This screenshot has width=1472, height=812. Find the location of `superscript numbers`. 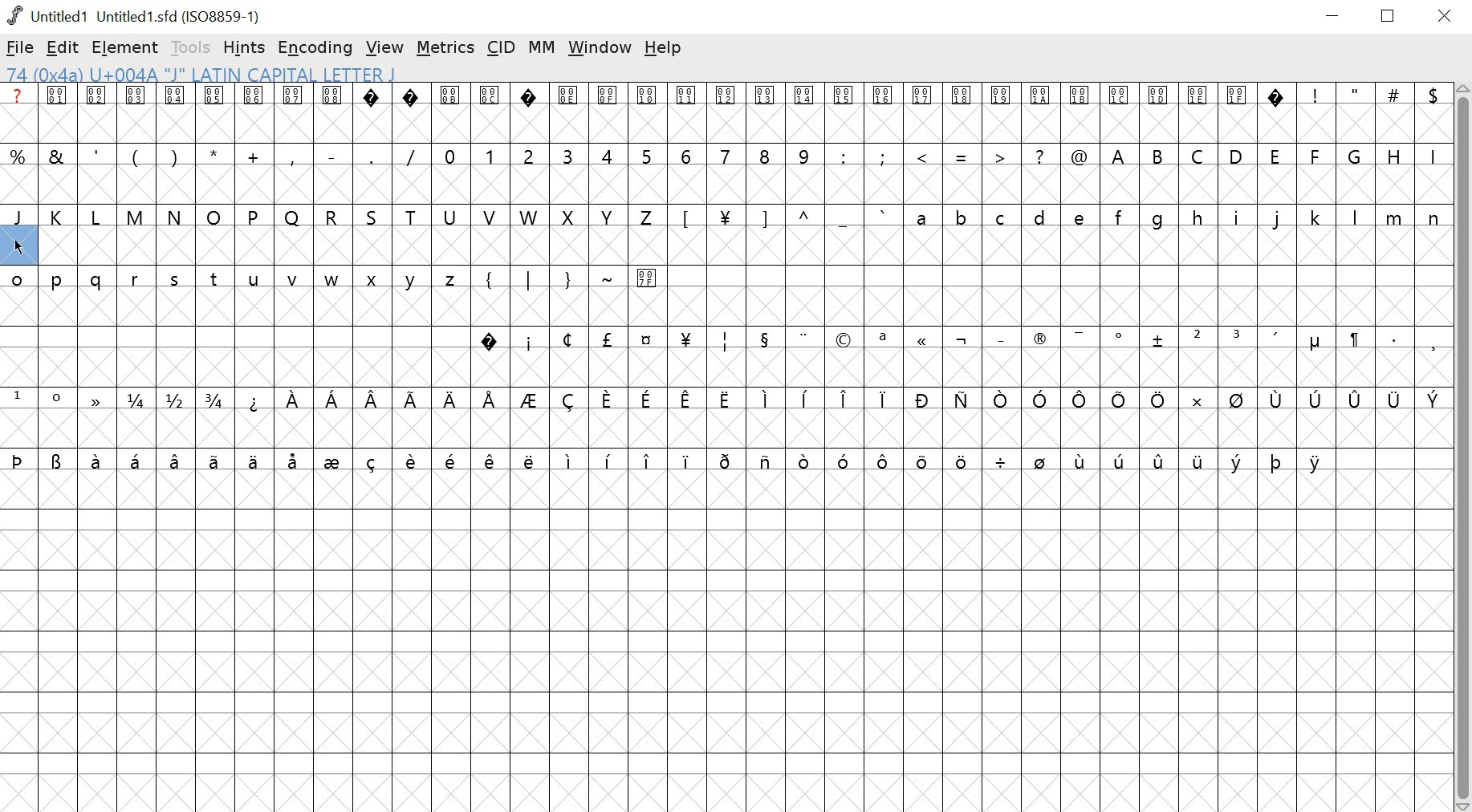

superscript numbers is located at coordinates (38, 397).